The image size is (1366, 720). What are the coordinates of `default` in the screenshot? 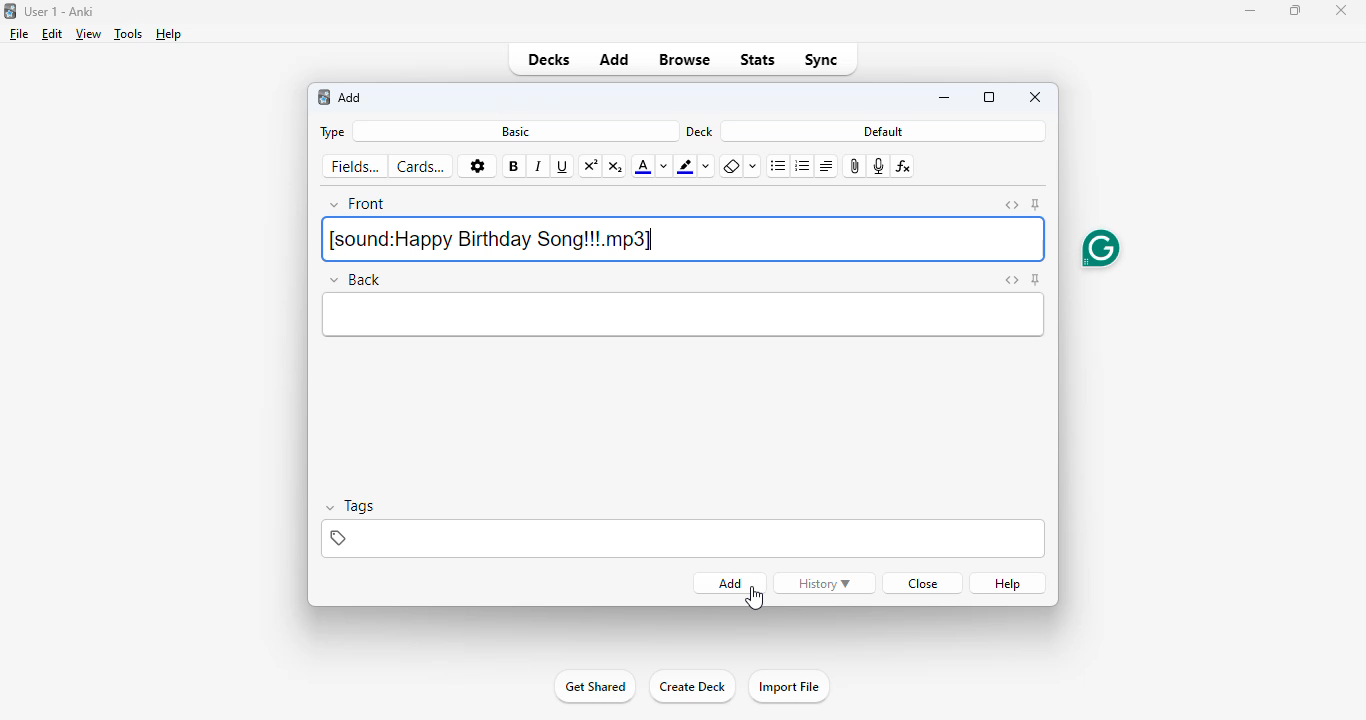 It's located at (883, 131).